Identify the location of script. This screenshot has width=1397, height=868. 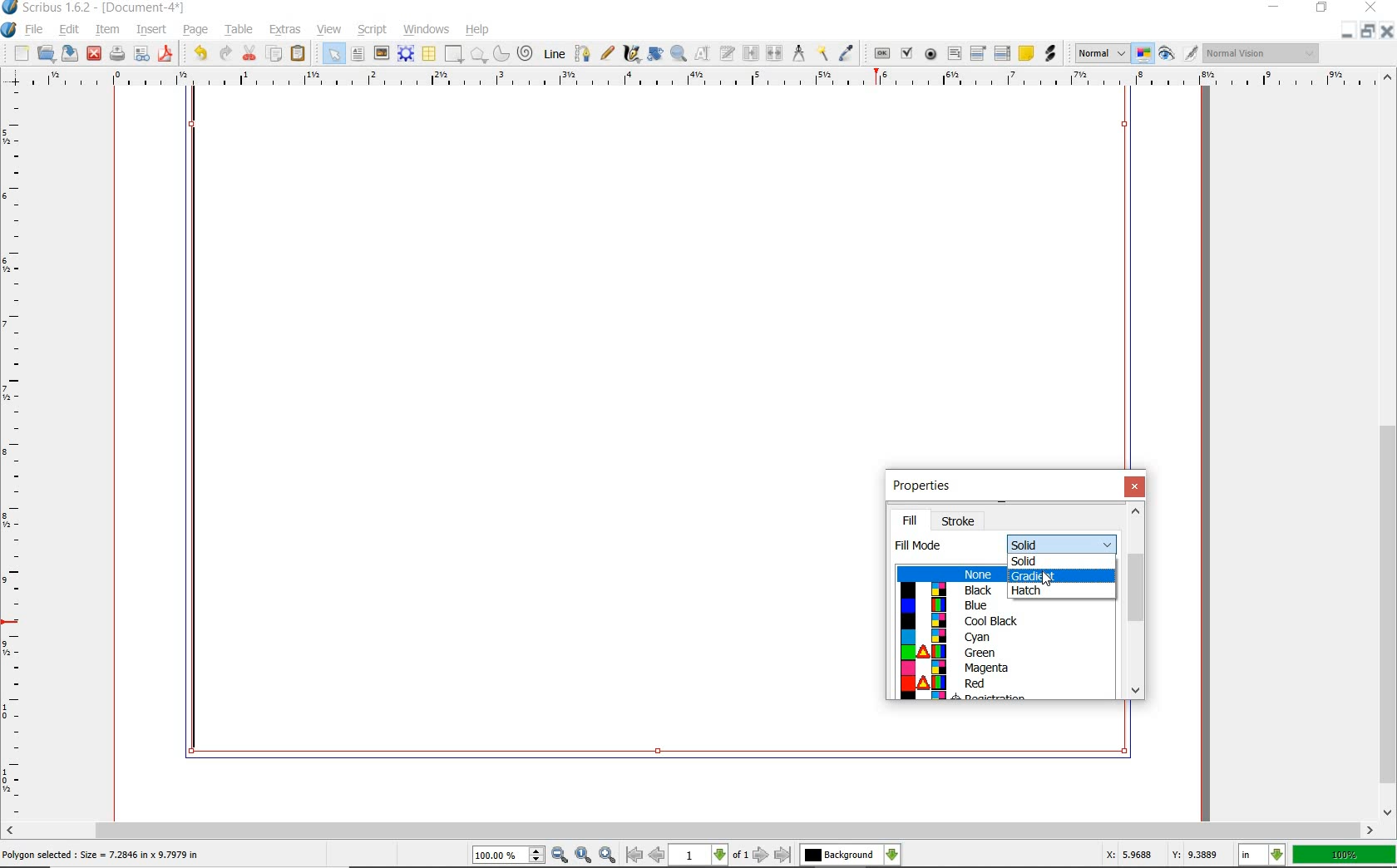
(374, 30).